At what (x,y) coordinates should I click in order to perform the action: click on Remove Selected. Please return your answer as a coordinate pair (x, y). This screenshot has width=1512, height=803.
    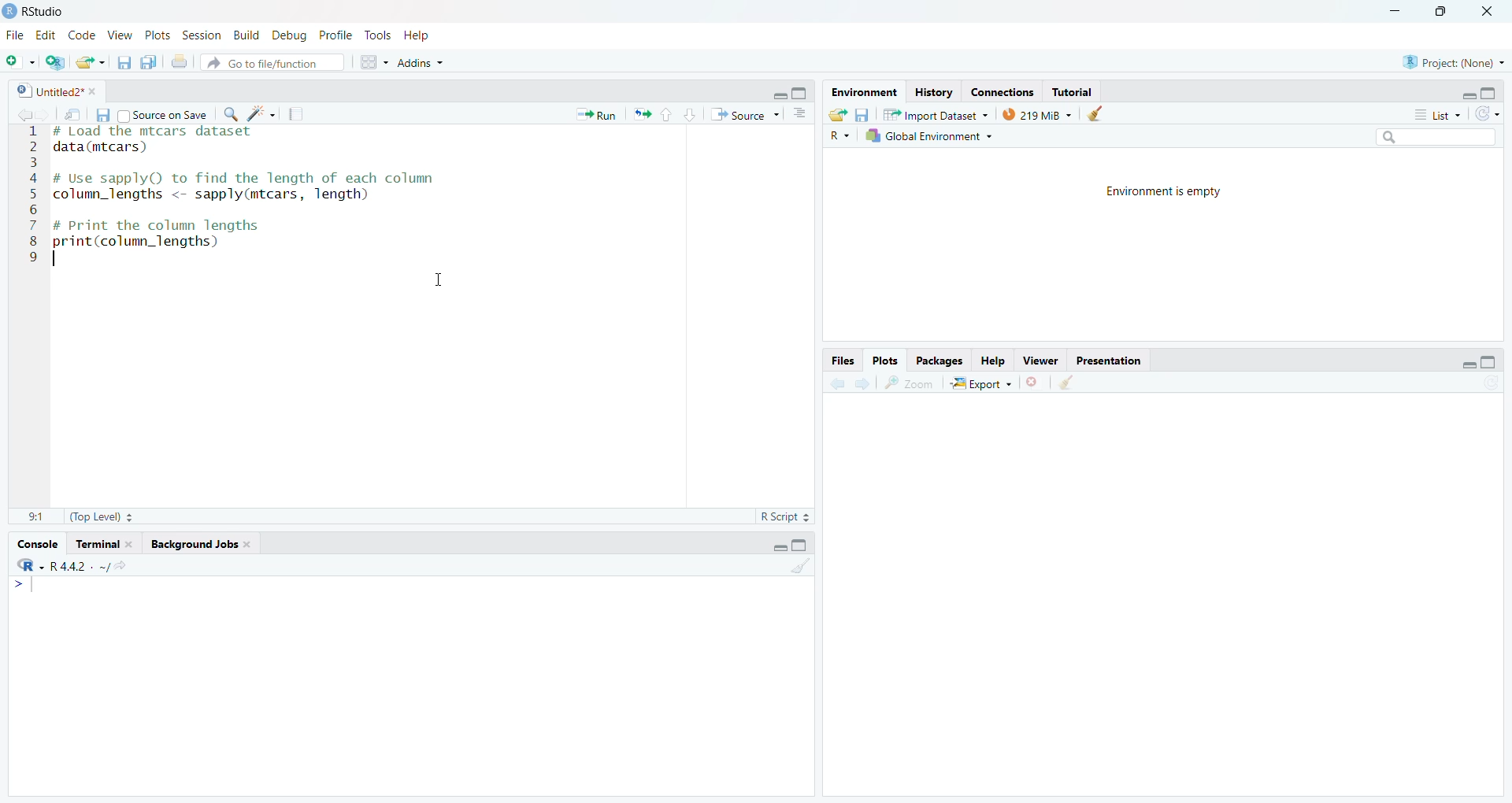
    Looking at the image, I should click on (1035, 382).